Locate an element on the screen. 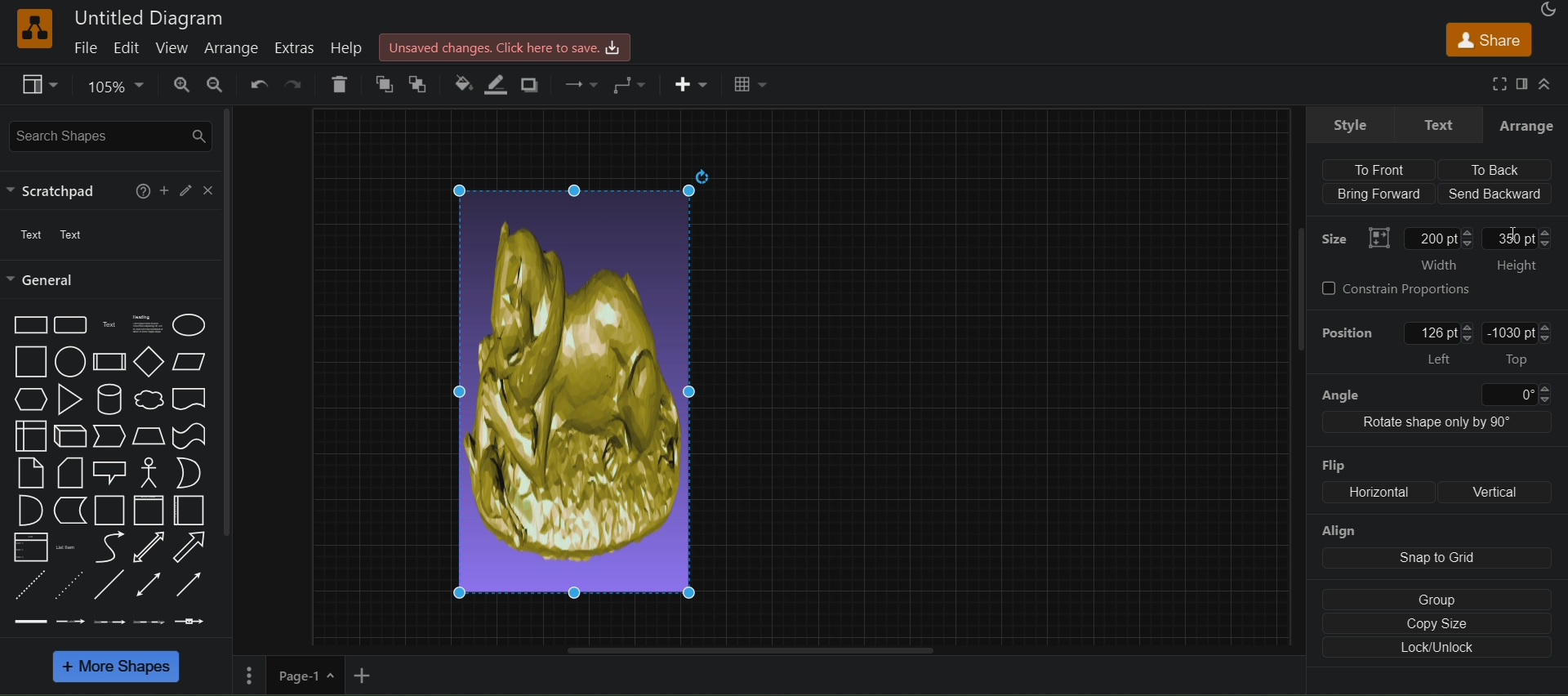 The image size is (1568, 696). waypoints is located at coordinates (579, 86).